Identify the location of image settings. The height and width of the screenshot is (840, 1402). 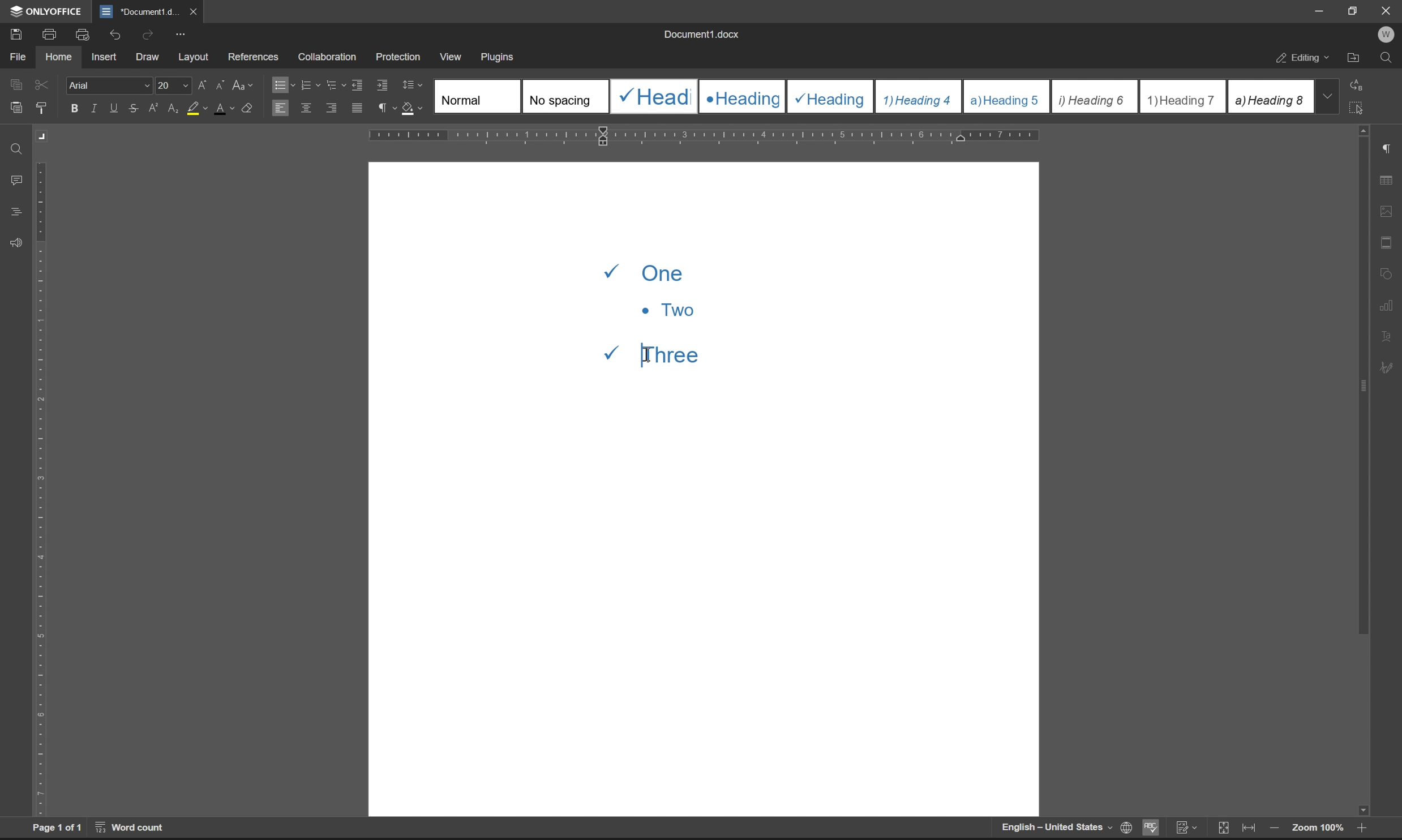
(1386, 208).